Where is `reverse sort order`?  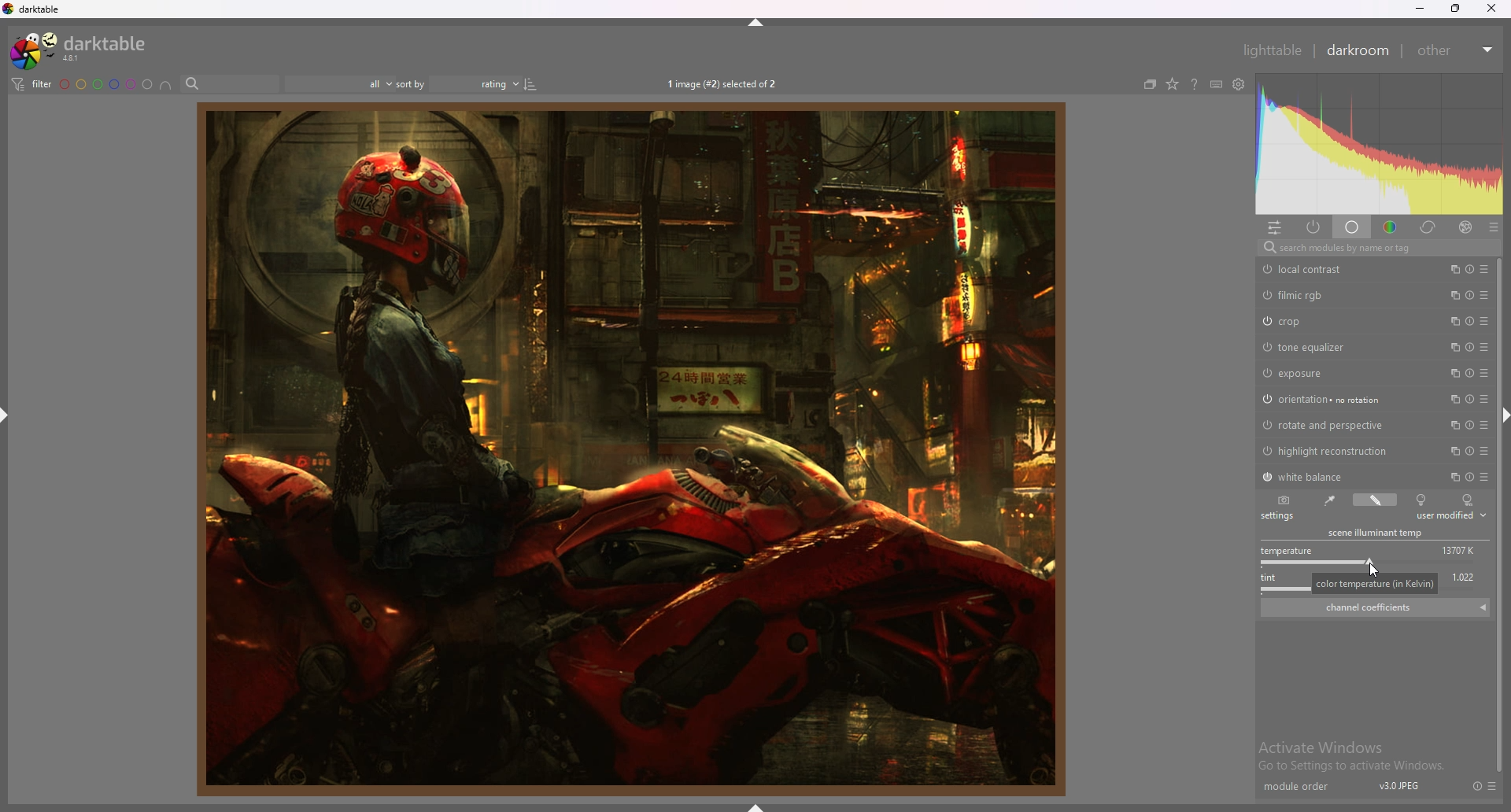
reverse sort order is located at coordinates (533, 84).